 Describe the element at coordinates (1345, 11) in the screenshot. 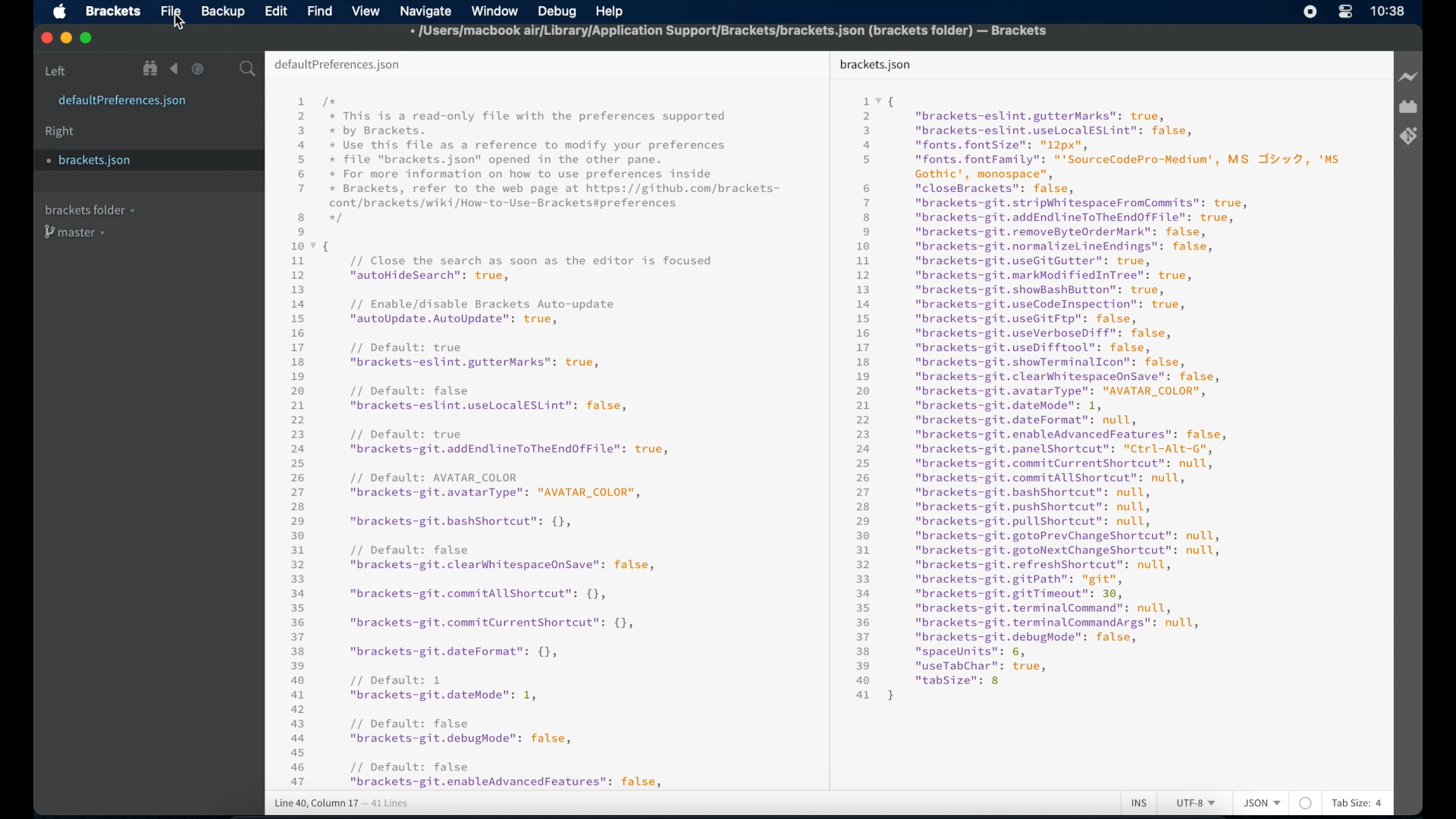

I see `control center` at that location.